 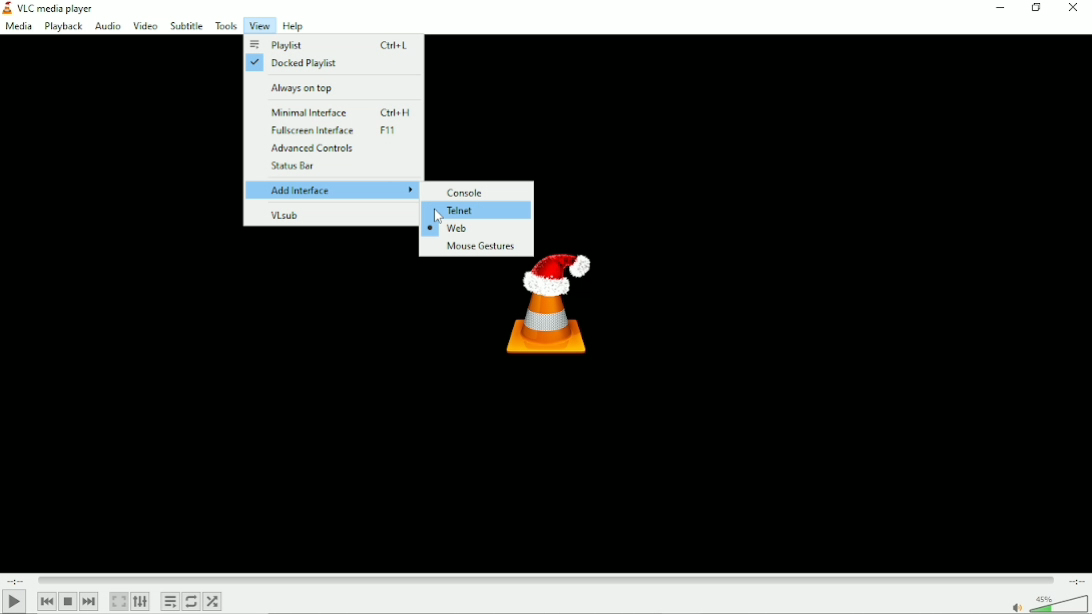 I want to click on View, so click(x=259, y=25).